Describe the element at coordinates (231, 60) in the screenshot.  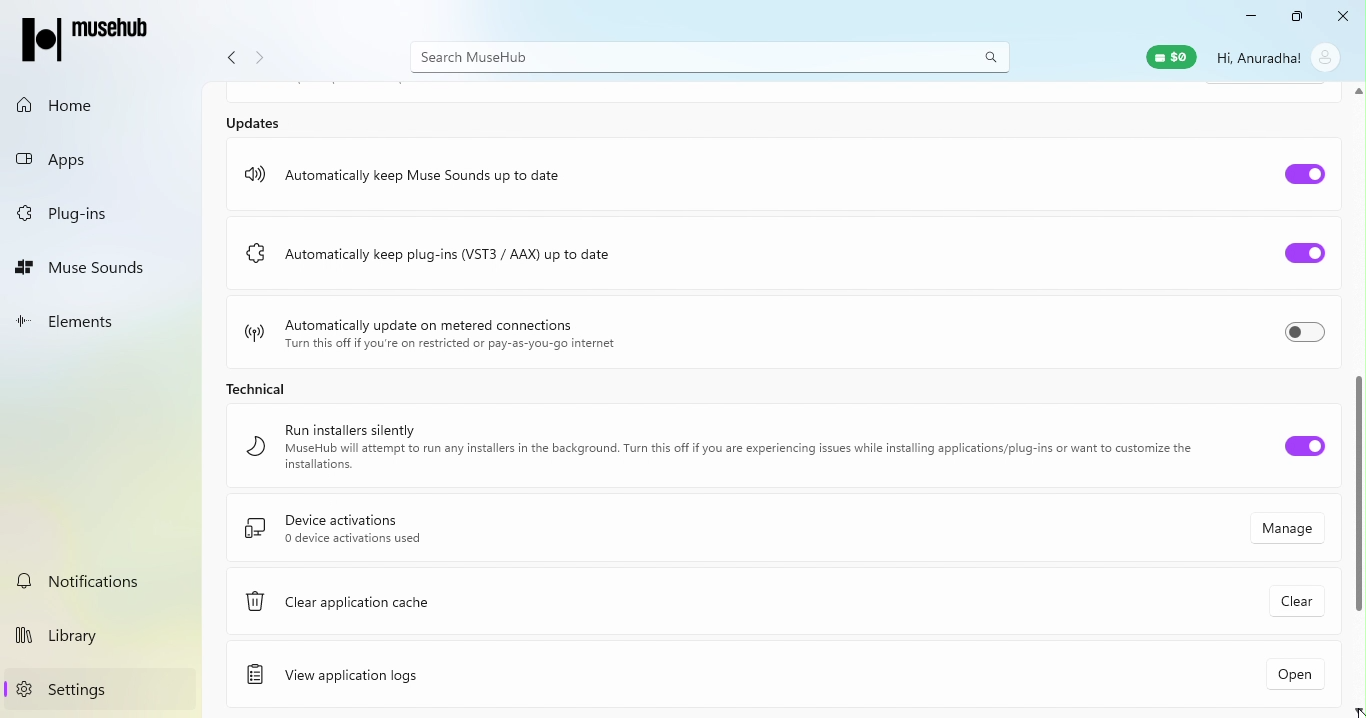
I see `Navigate back` at that location.